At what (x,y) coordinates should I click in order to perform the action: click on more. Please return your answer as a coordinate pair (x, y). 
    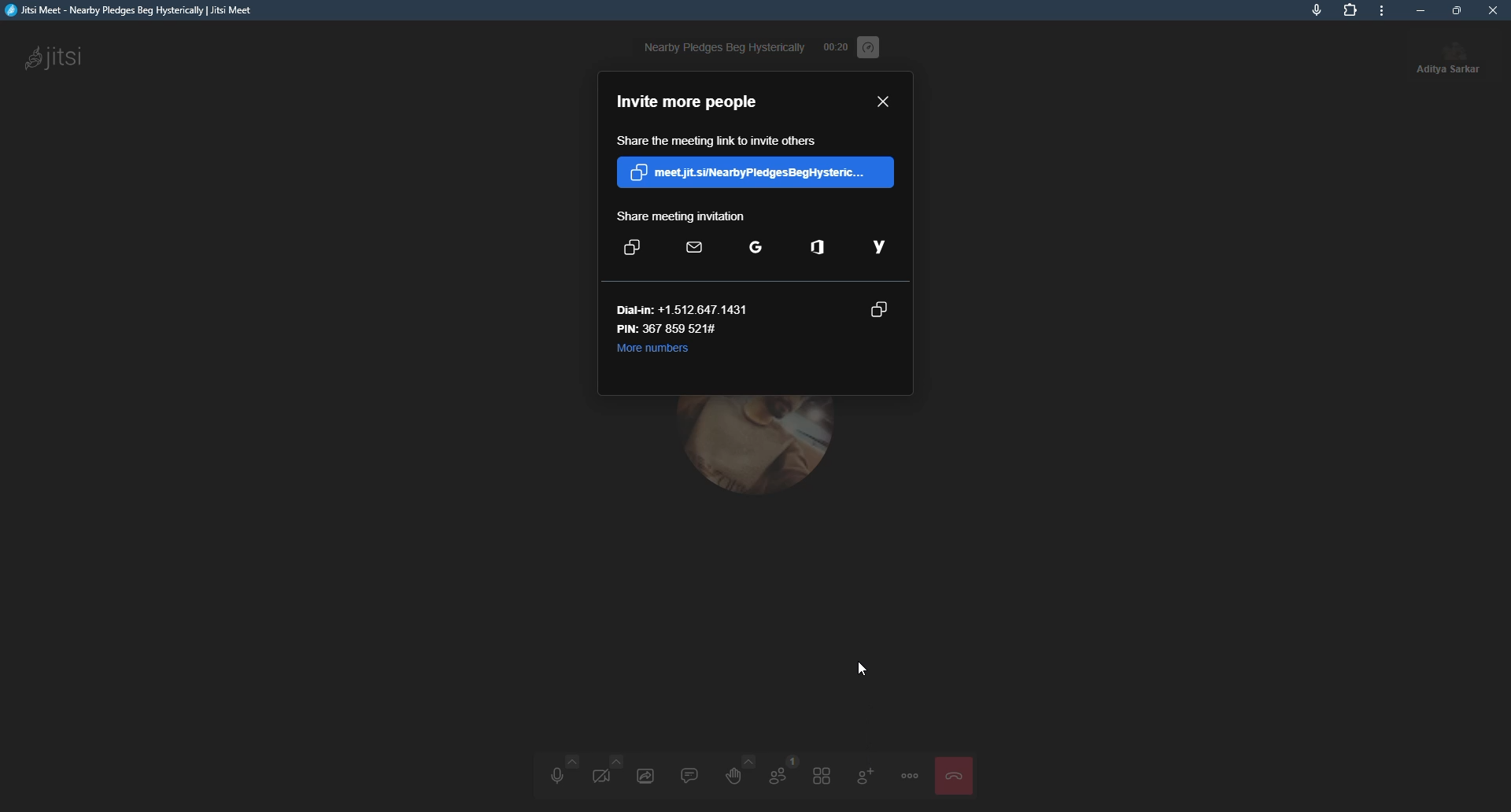
    Looking at the image, I should click on (1381, 10).